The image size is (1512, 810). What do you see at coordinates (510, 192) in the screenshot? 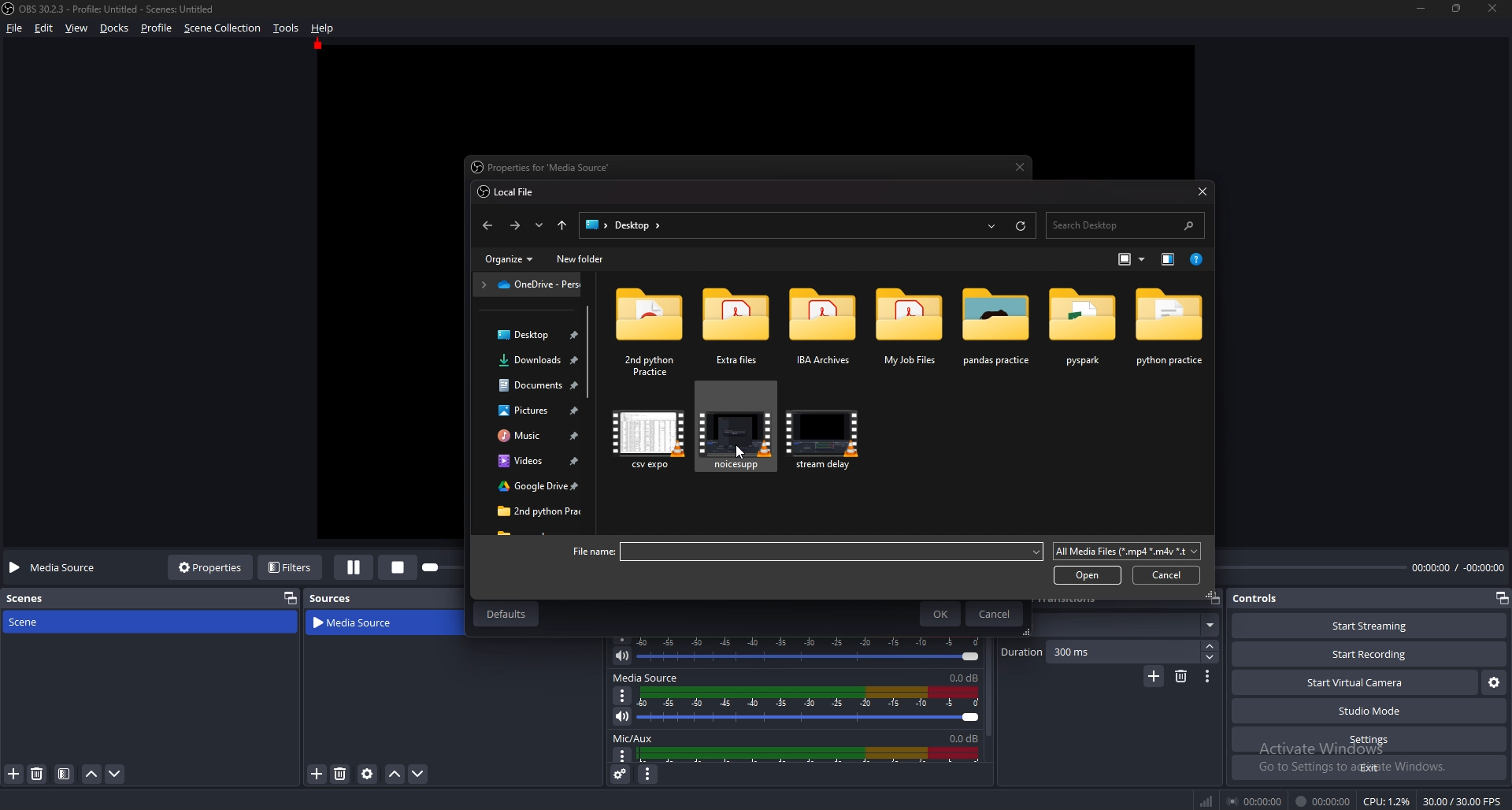
I see `Local file` at bounding box center [510, 192].